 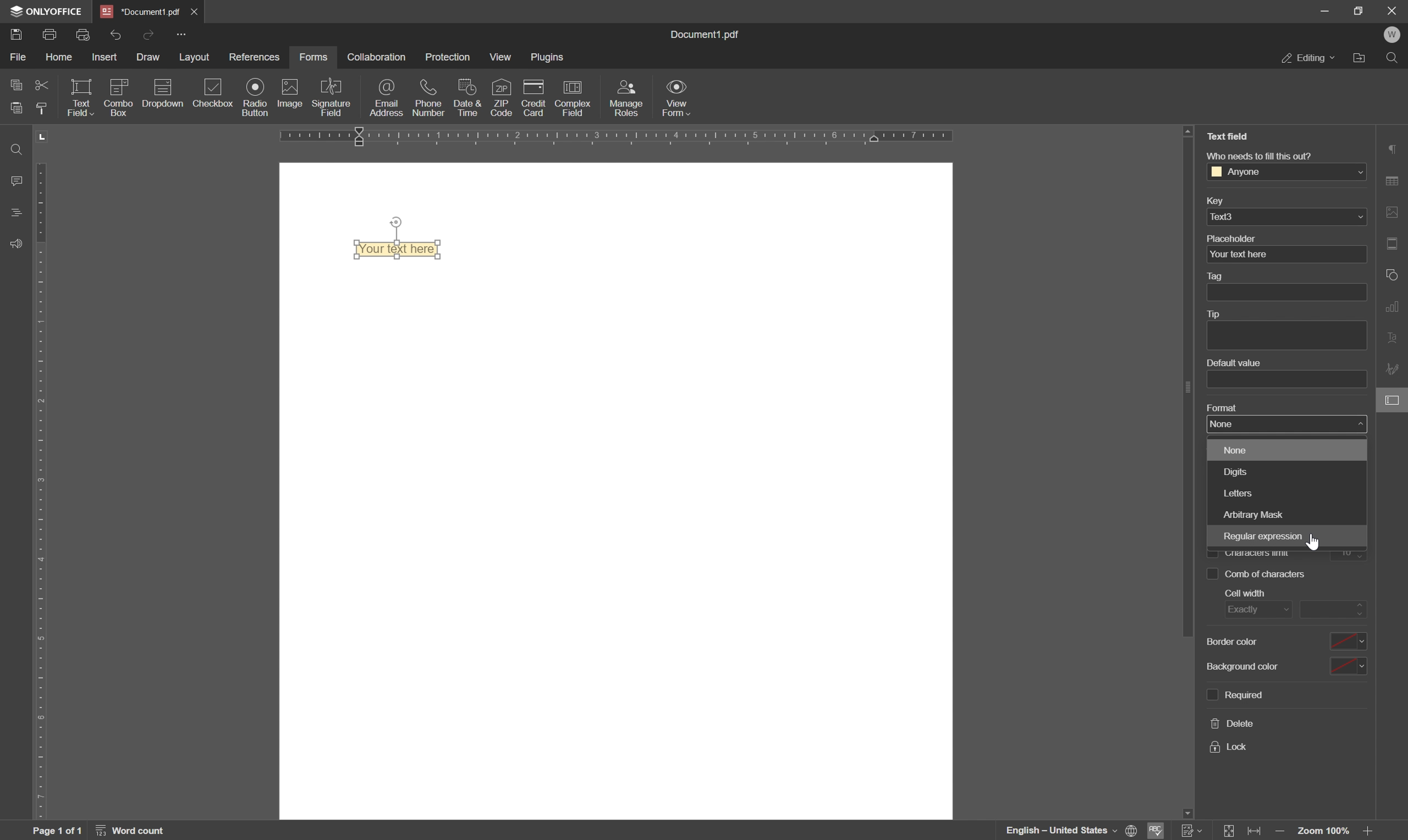 What do you see at coordinates (572, 99) in the screenshot?
I see `complex field` at bounding box center [572, 99].